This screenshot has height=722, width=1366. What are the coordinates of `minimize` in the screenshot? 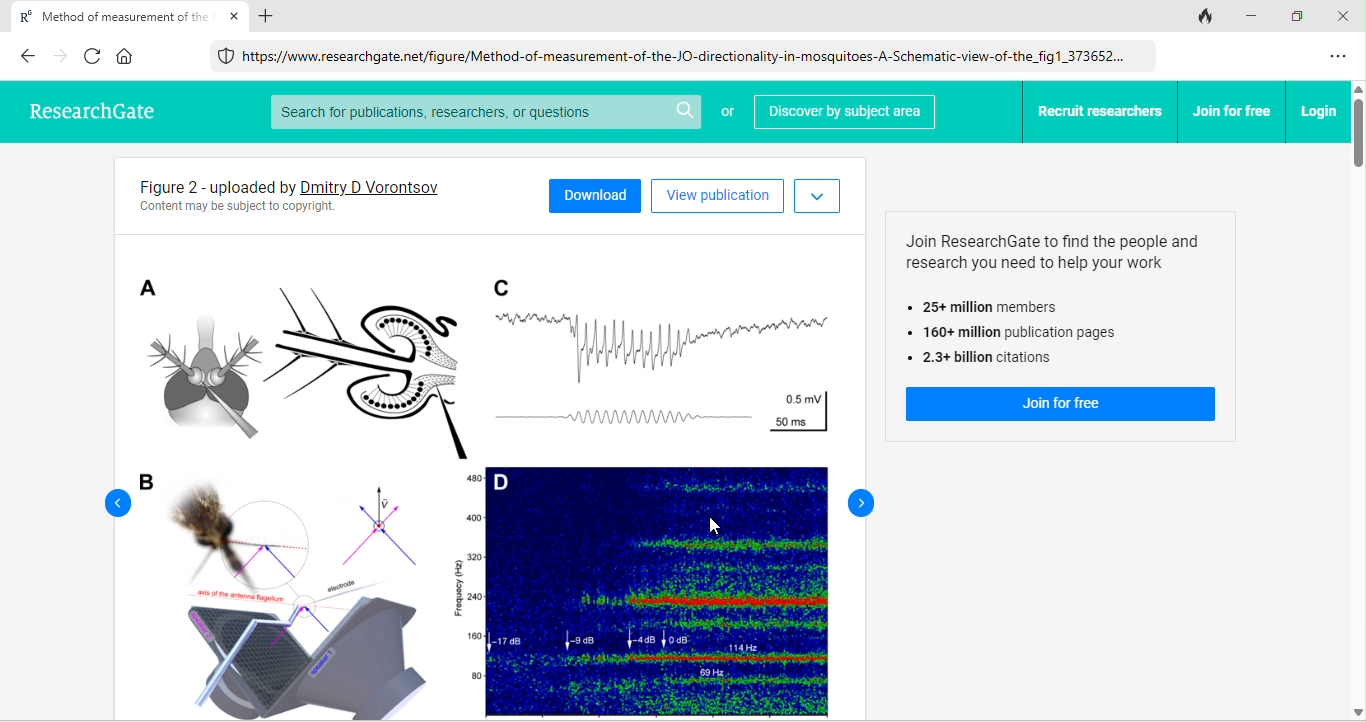 It's located at (1255, 15).